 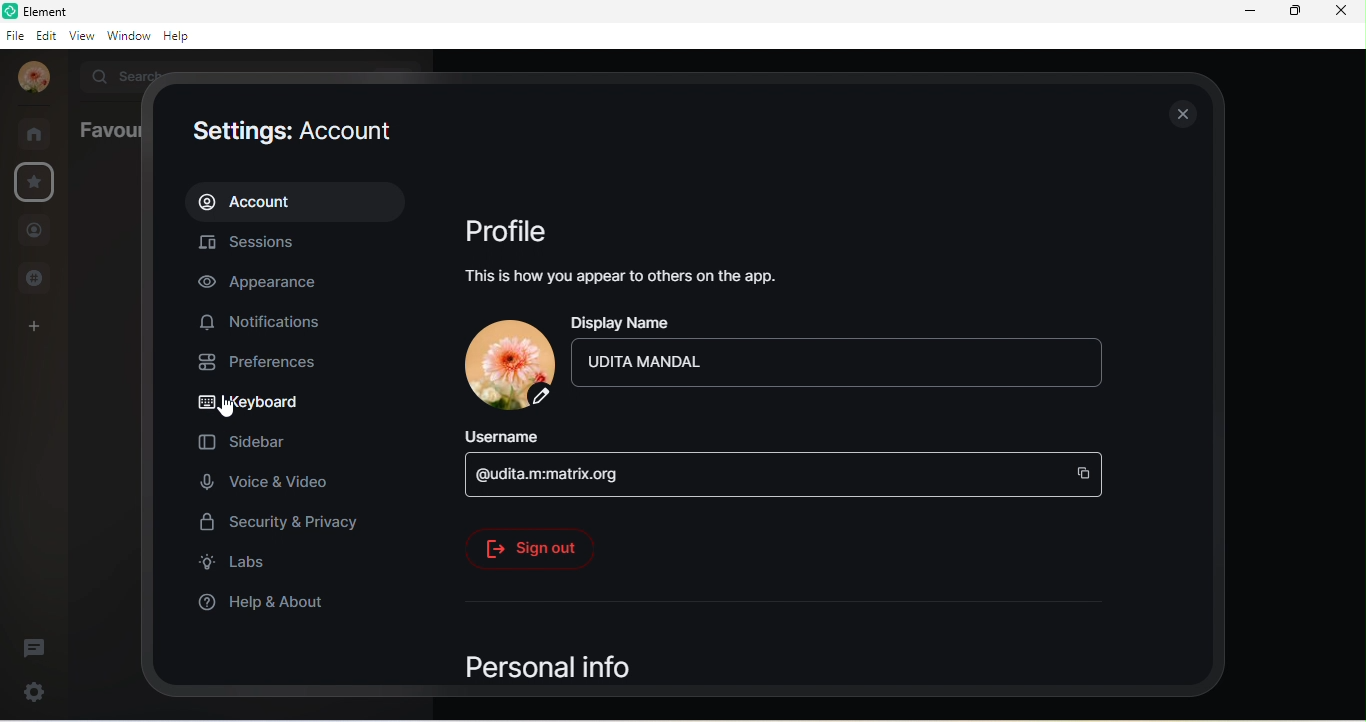 What do you see at coordinates (38, 228) in the screenshot?
I see `people` at bounding box center [38, 228].